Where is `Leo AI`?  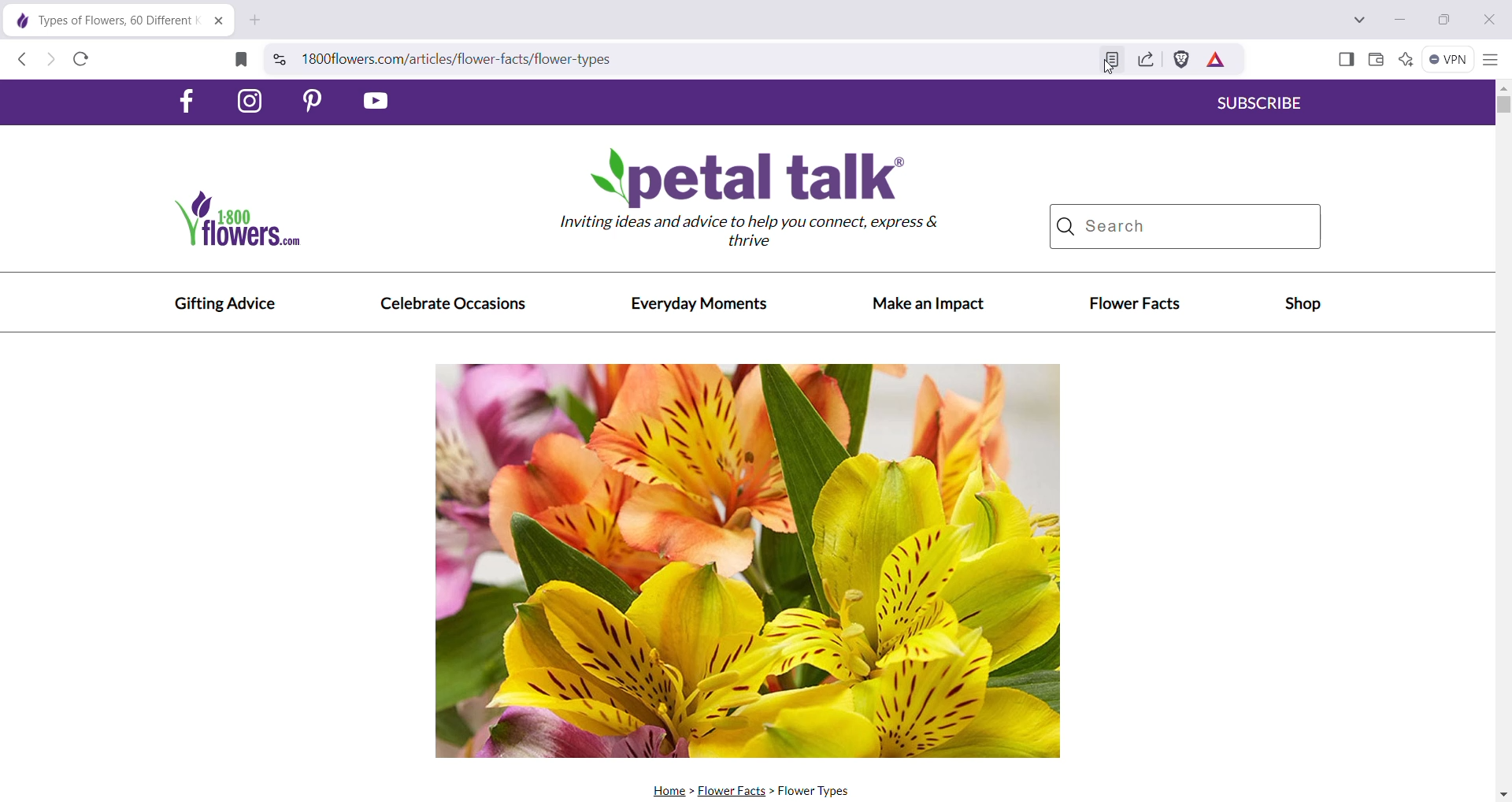 Leo AI is located at coordinates (1404, 60).